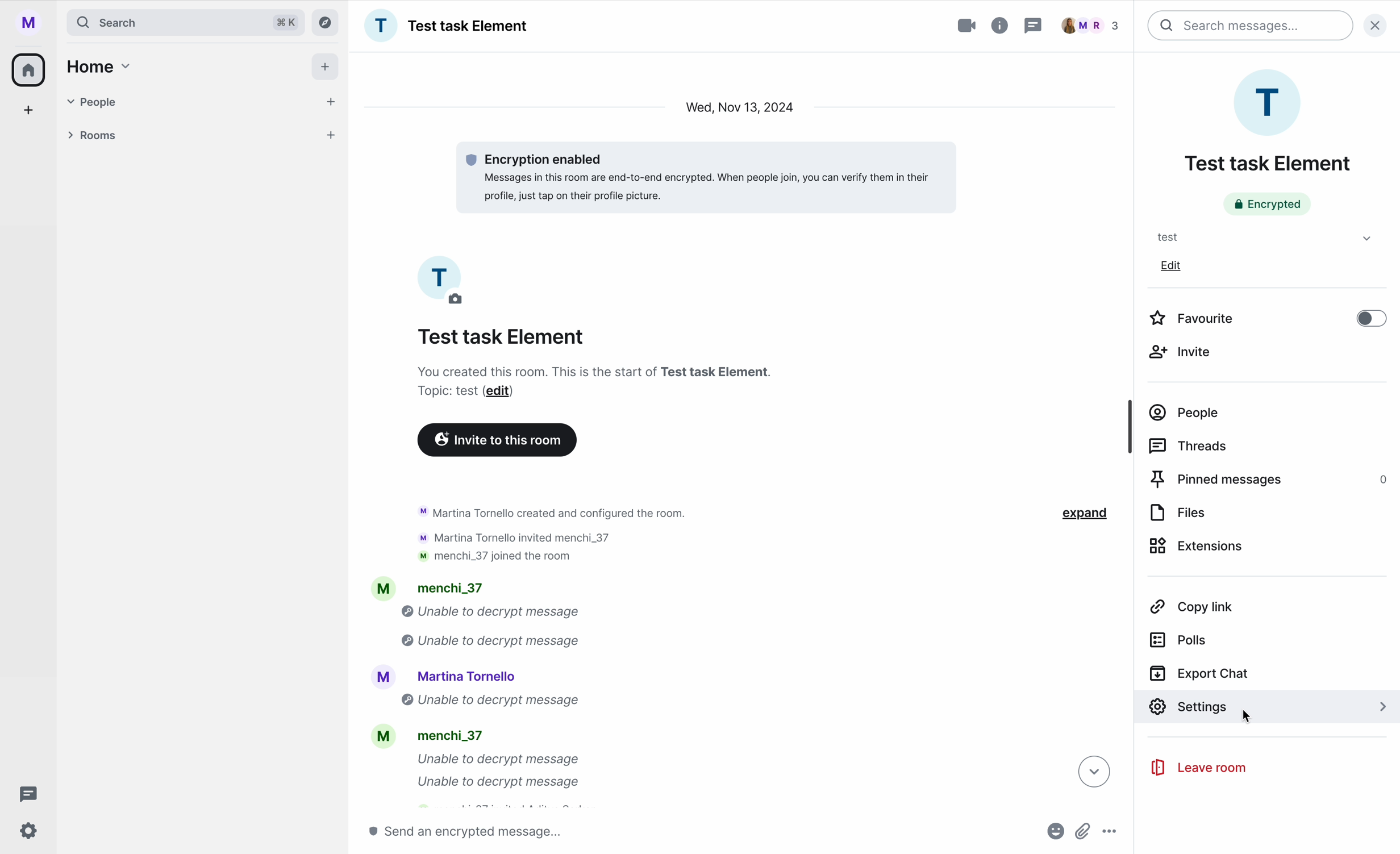 The height and width of the screenshot is (854, 1400). I want to click on more options, so click(1110, 832).